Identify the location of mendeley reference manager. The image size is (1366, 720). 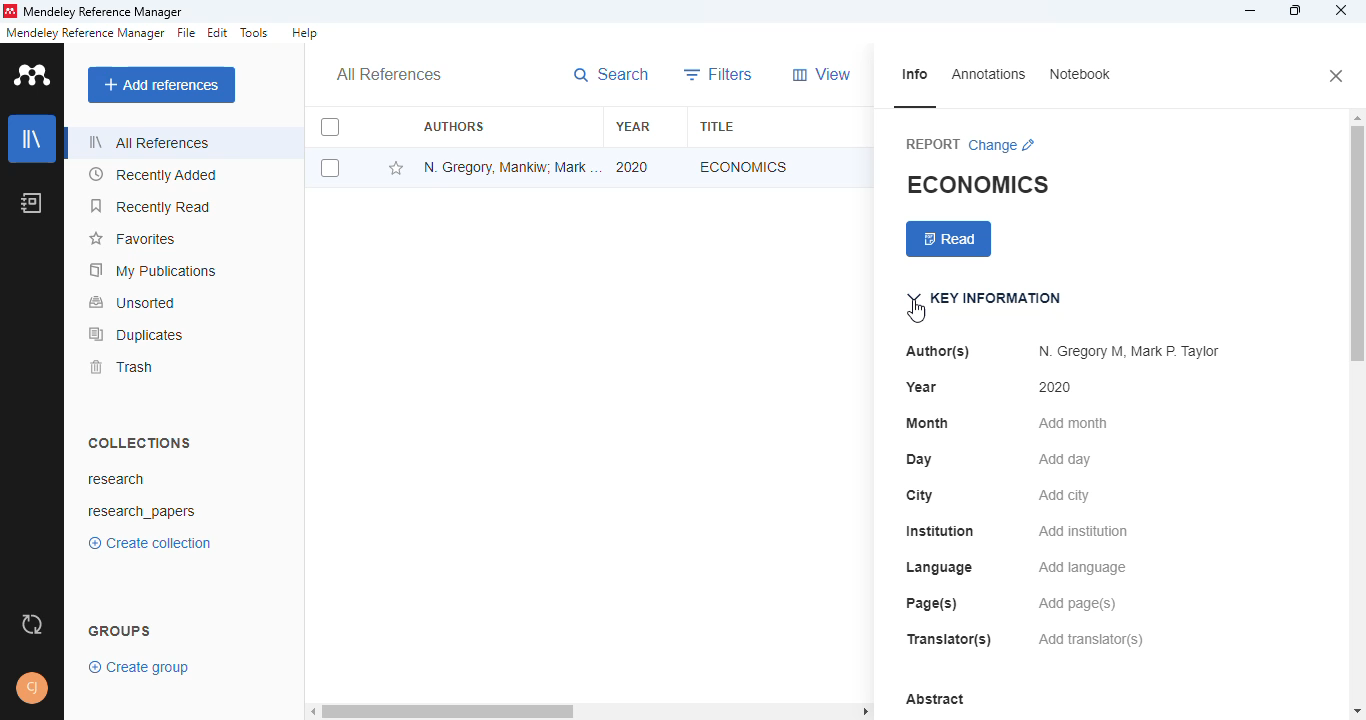
(103, 11).